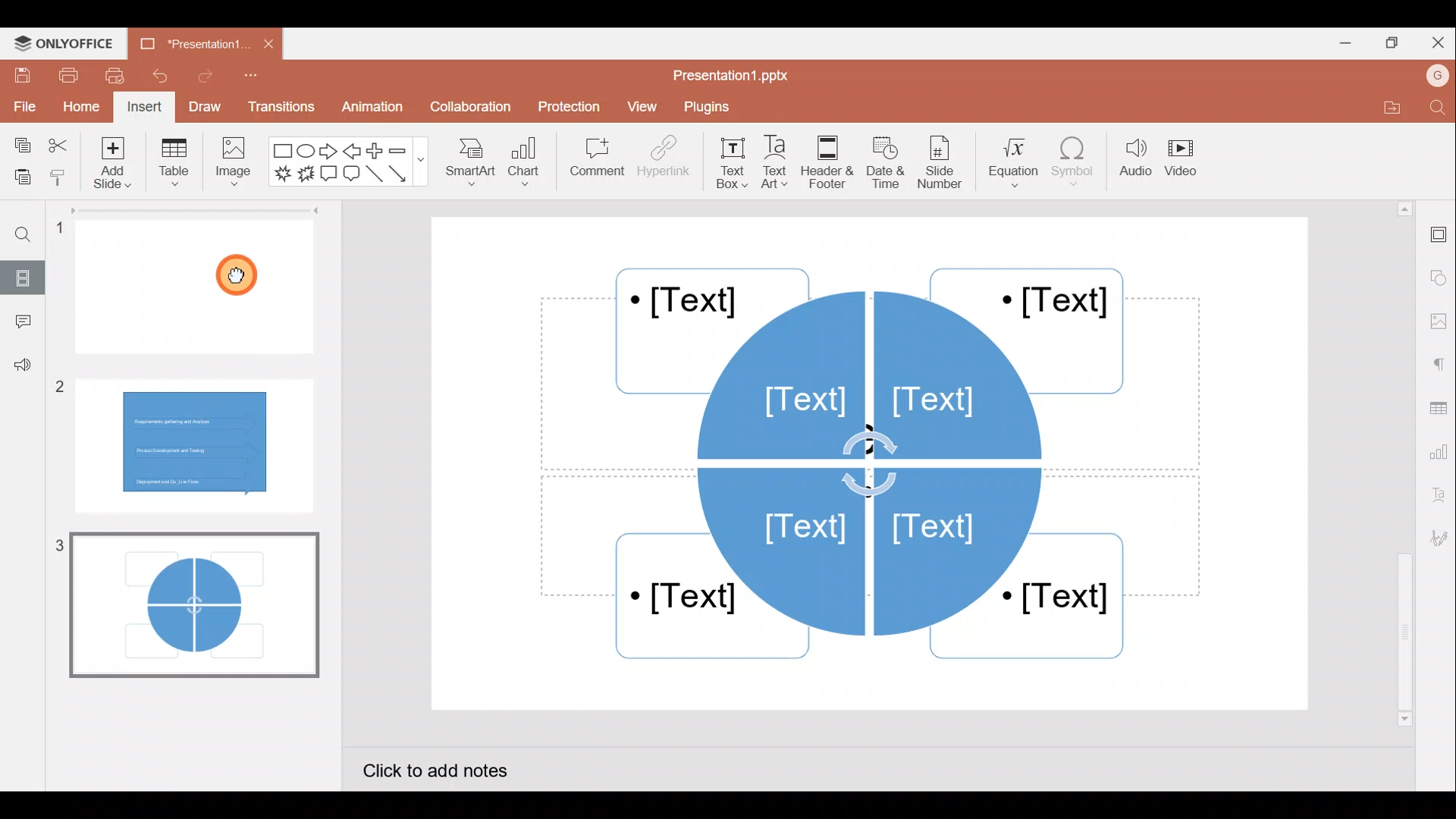 The image size is (1456, 819). What do you see at coordinates (22, 141) in the screenshot?
I see `Copy` at bounding box center [22, 141].